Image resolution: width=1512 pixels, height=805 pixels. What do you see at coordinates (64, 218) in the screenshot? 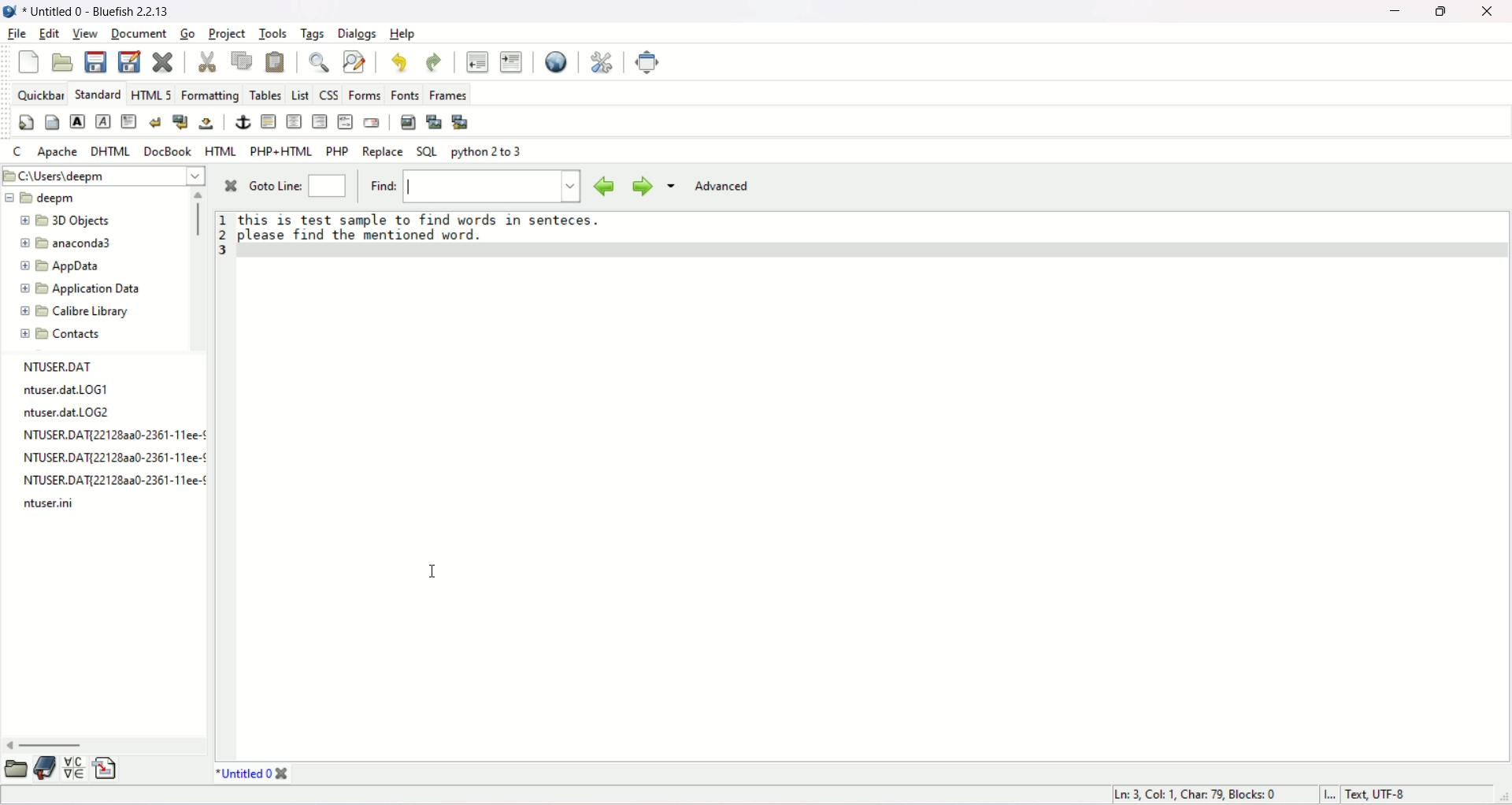
I see `3D objects` at bounding box center [64, 218].